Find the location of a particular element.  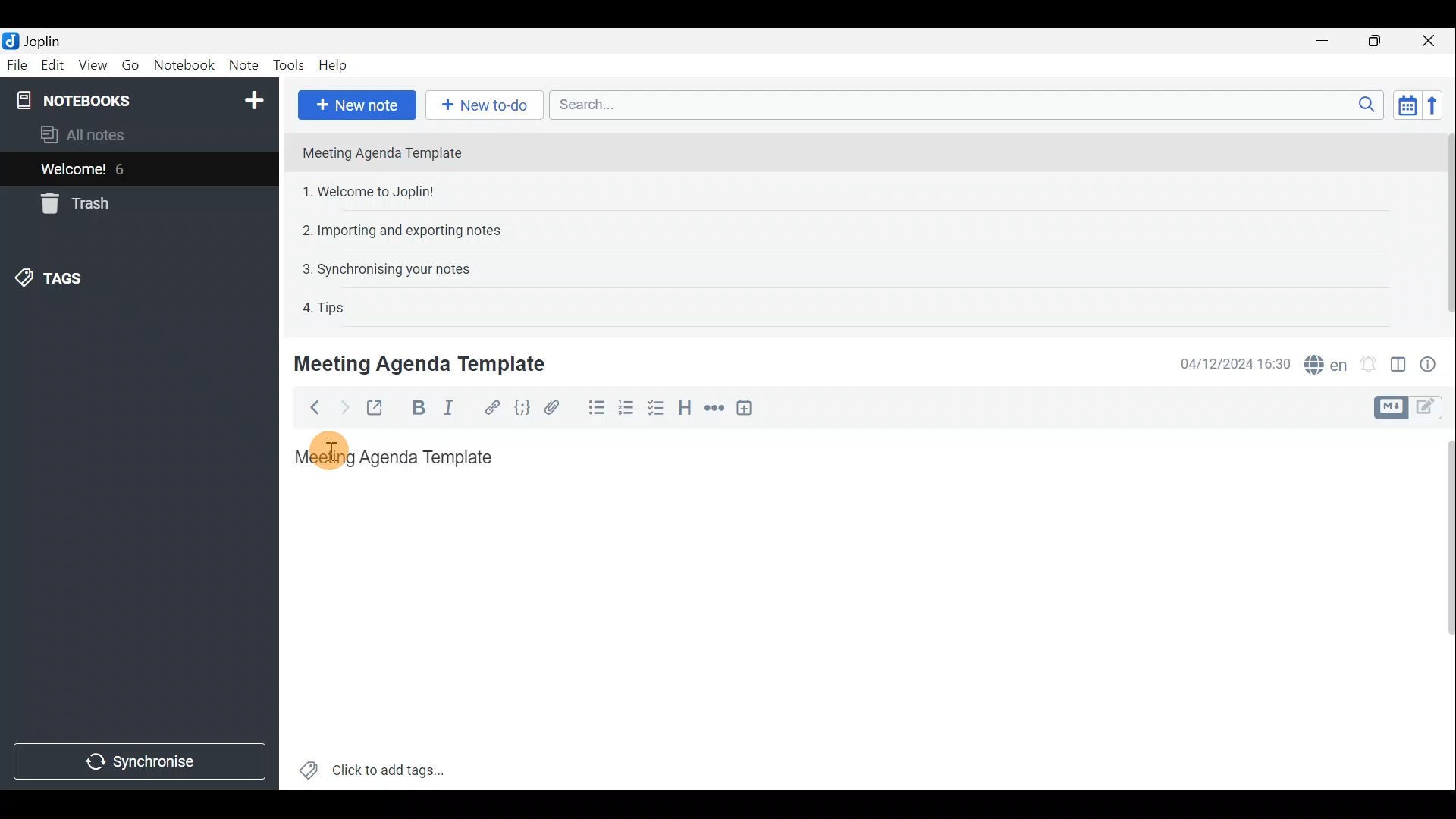

Back is located at coordinates (310, 410).